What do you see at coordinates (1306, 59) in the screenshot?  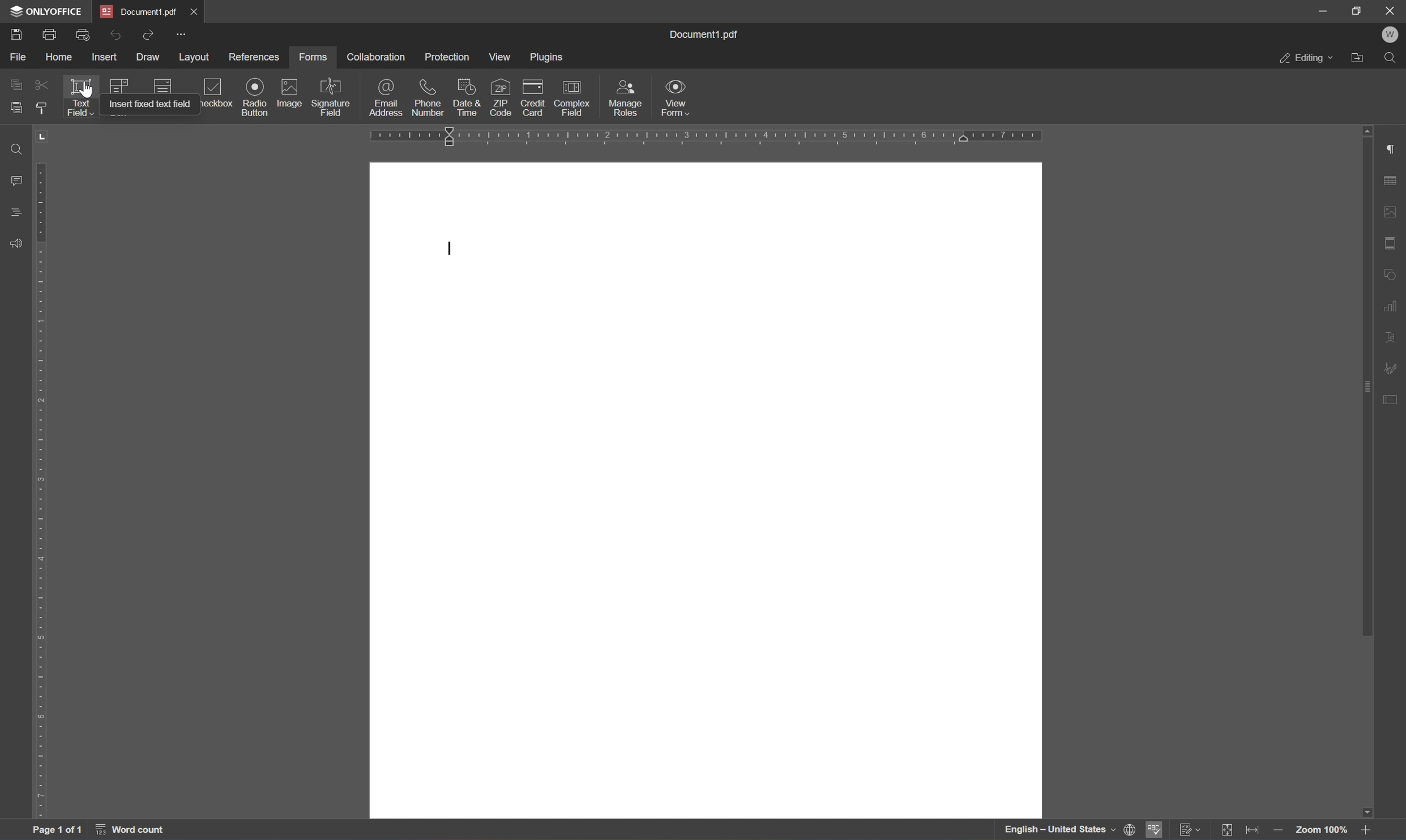 I see `editing` at bounding box center [1306, 59].